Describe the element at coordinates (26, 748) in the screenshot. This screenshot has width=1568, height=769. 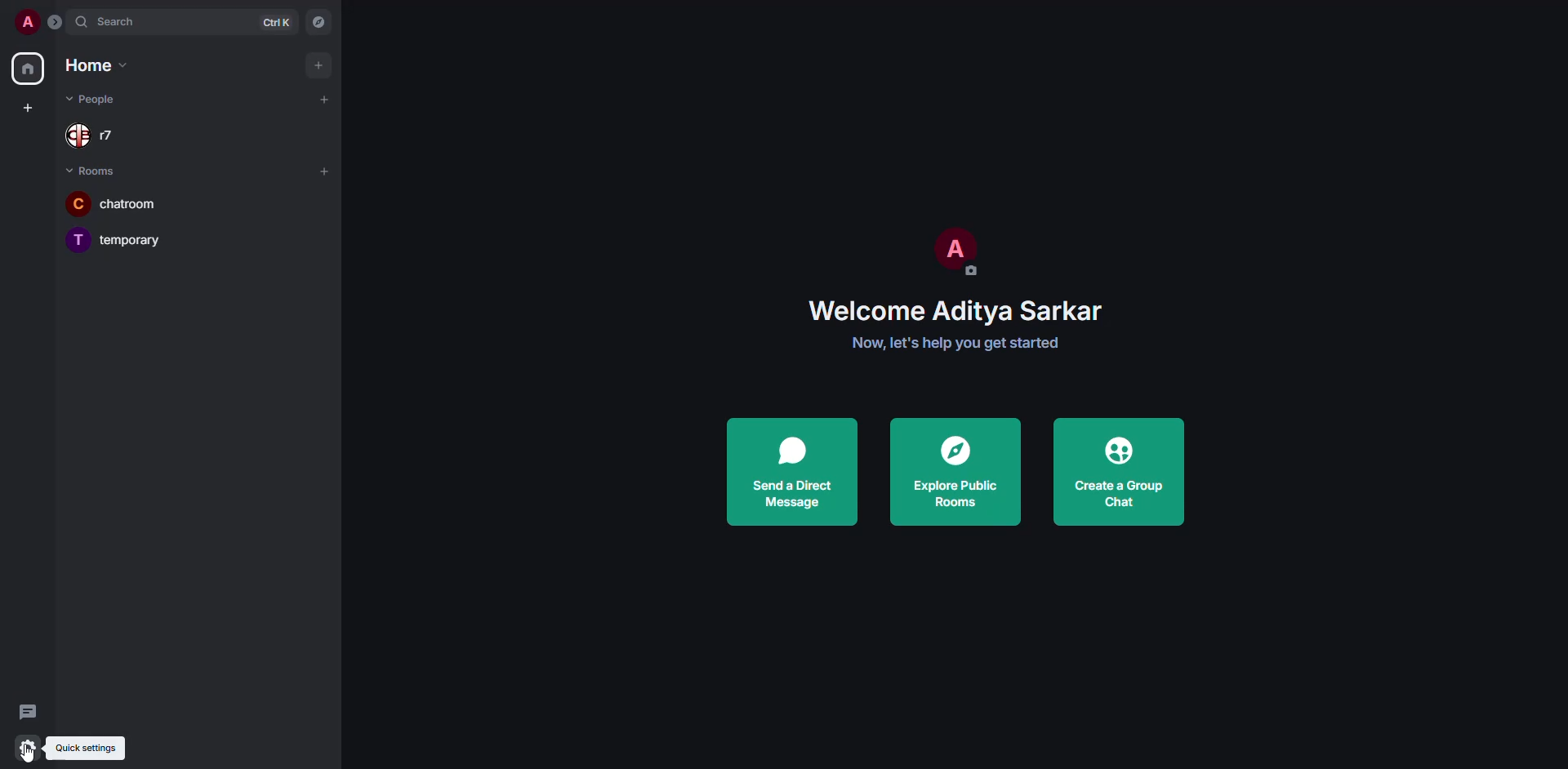
I see `quick settings` at that location.